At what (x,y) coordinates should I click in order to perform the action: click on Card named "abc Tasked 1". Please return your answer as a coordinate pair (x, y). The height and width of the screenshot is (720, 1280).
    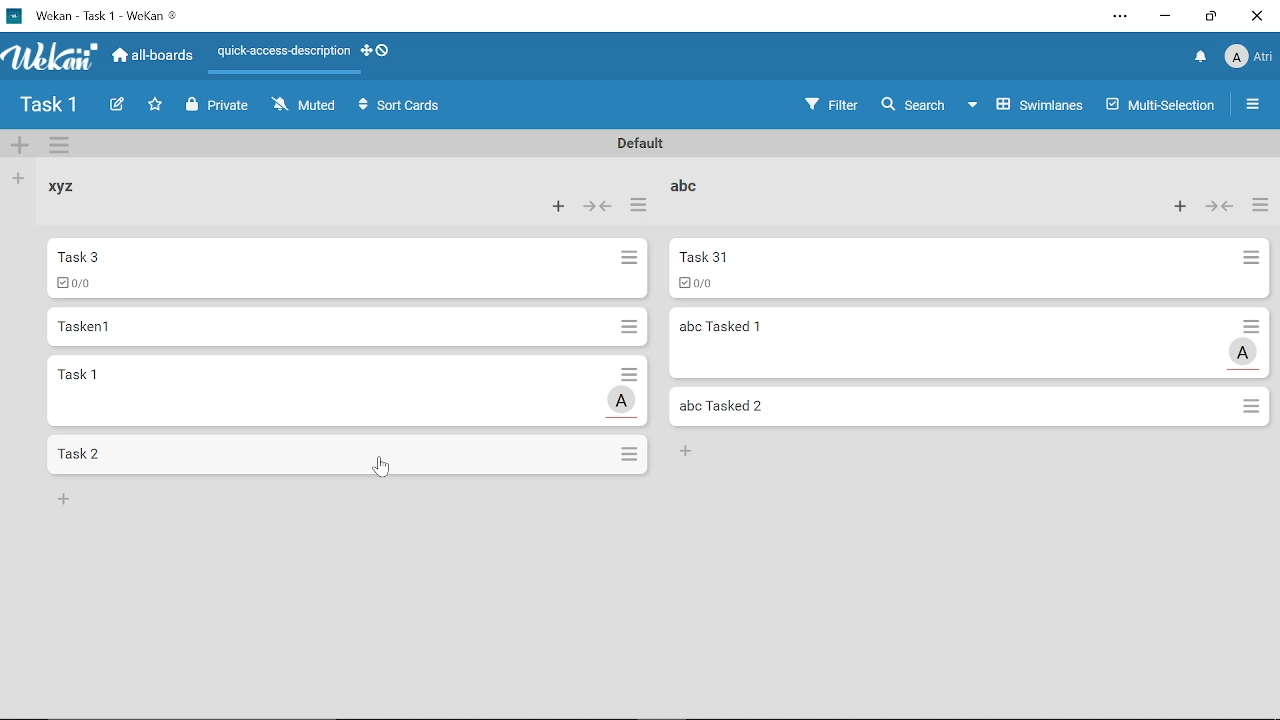
    Looking at the image, I should click on (951, 343).